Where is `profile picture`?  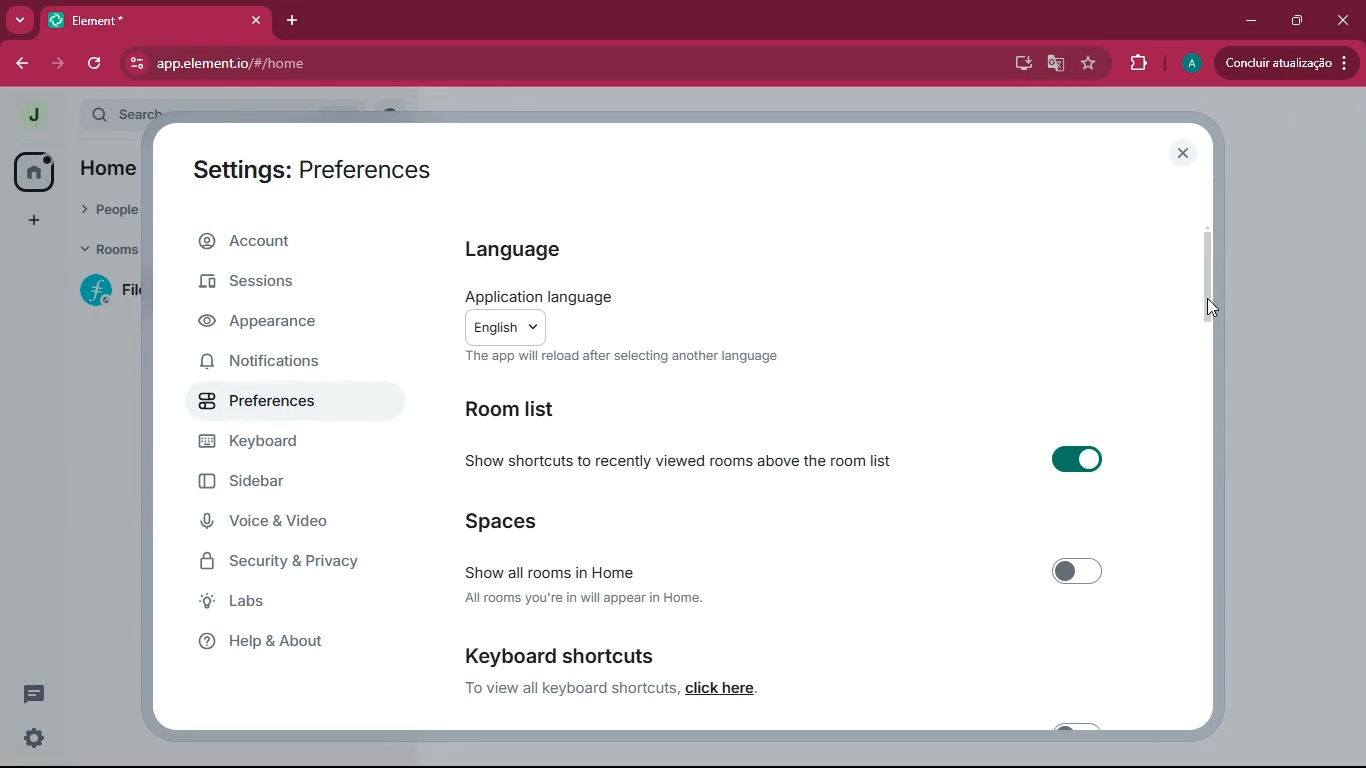
profile picture is located at coordinates (33, 116).